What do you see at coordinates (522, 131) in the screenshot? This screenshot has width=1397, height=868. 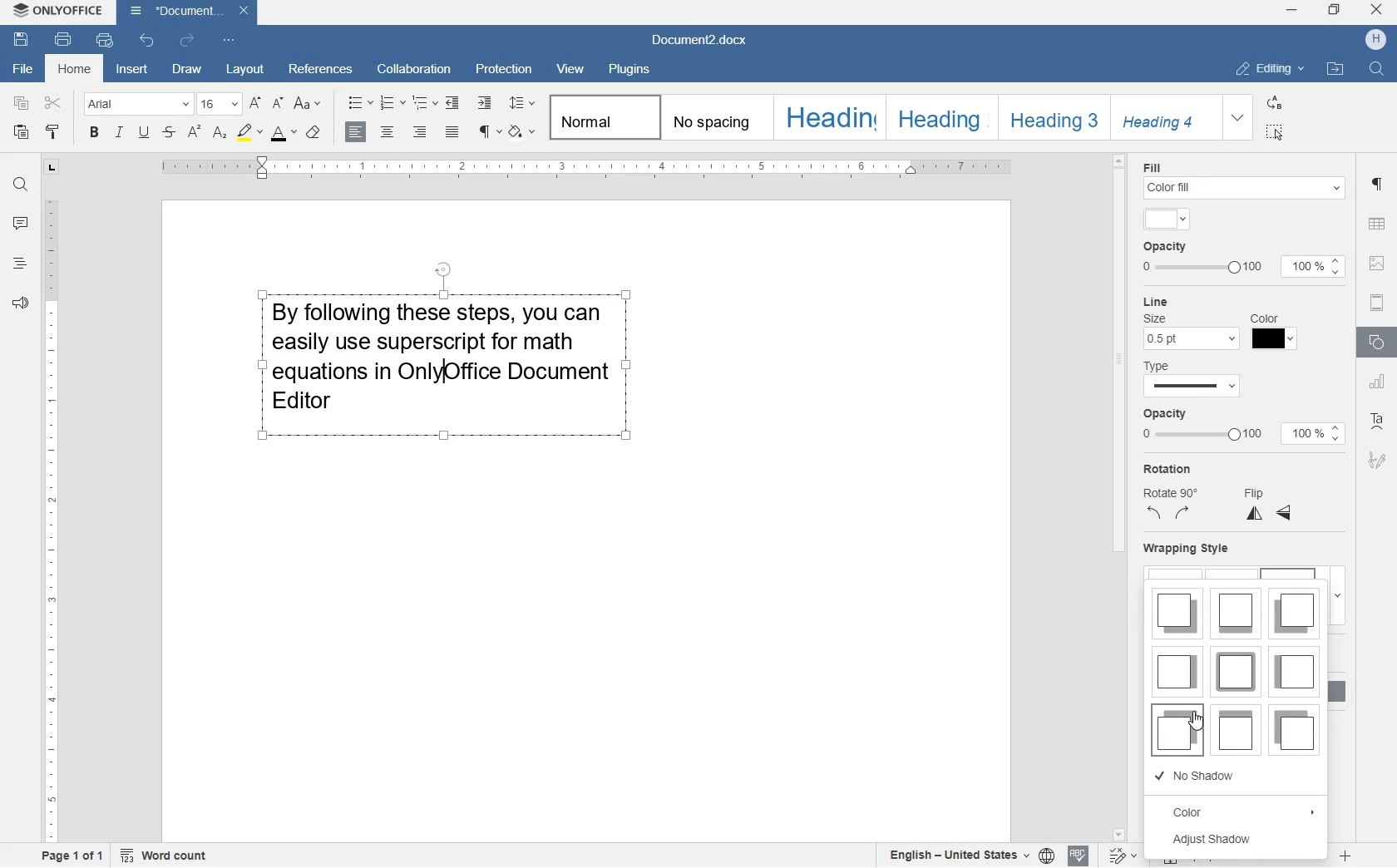 I see `shading` at bounding box center [522, 131].